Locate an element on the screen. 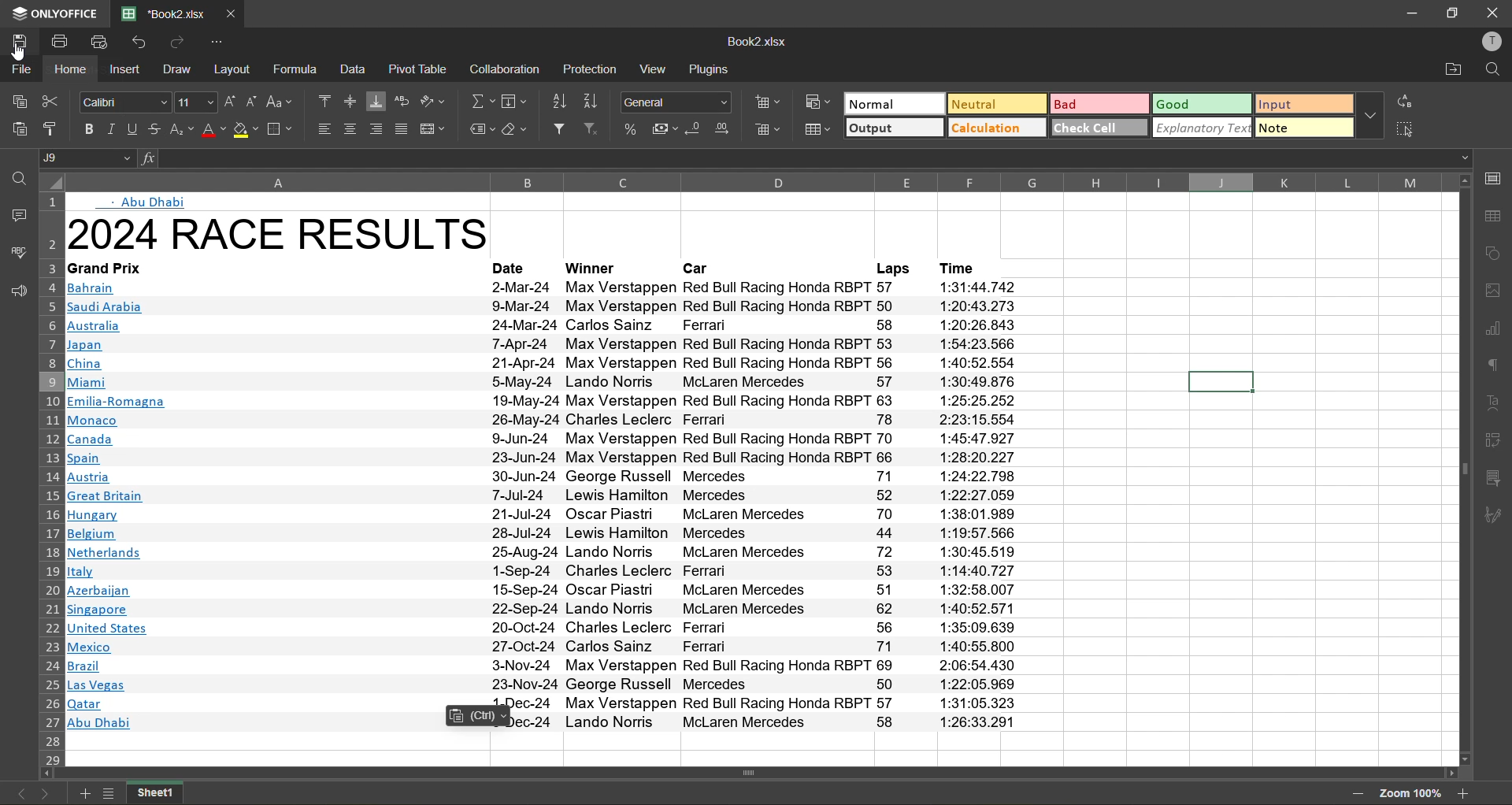  app name is located at coordinates (48, 13).